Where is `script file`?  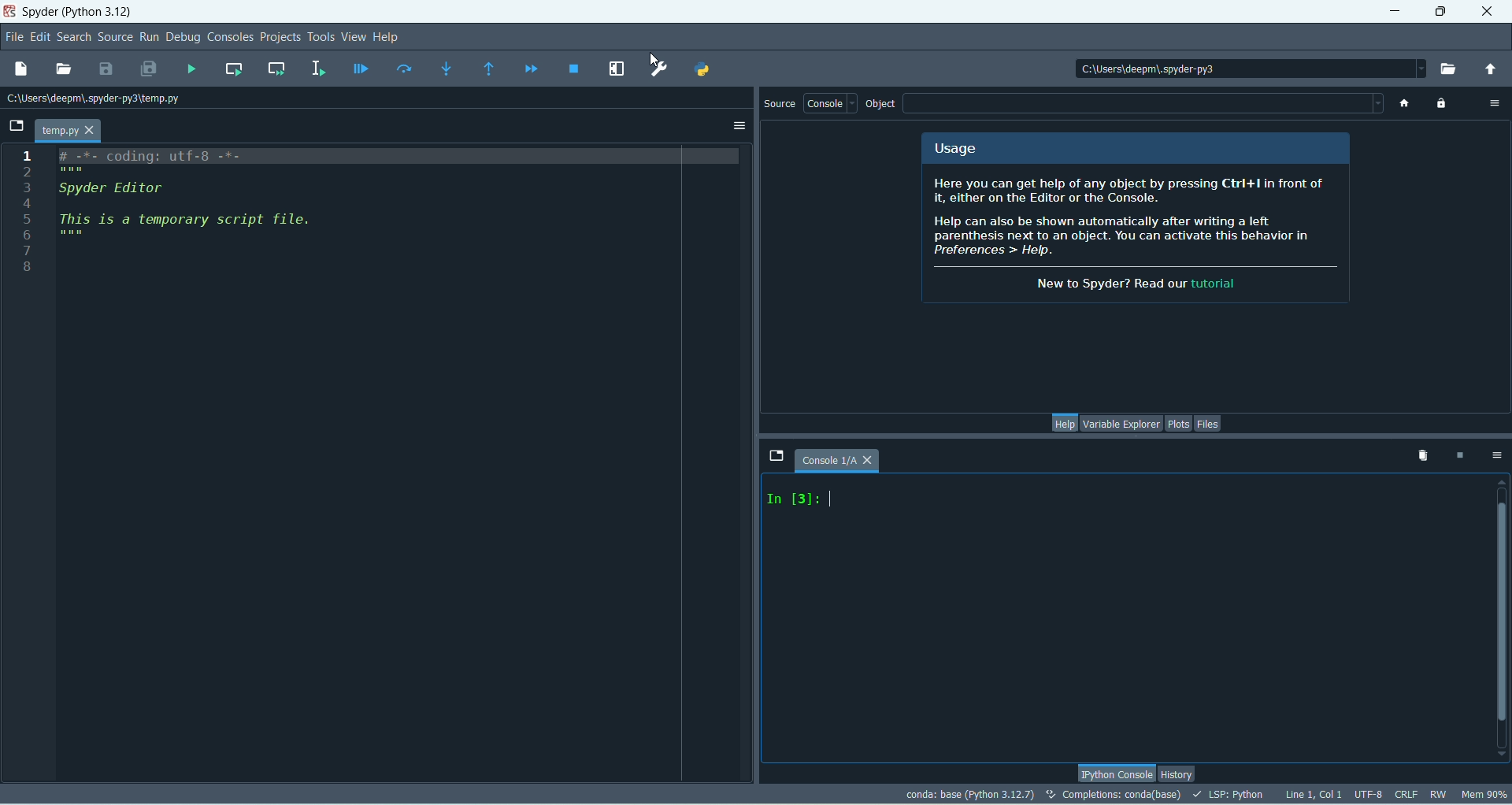 script file is located at coordinates (227, 207).